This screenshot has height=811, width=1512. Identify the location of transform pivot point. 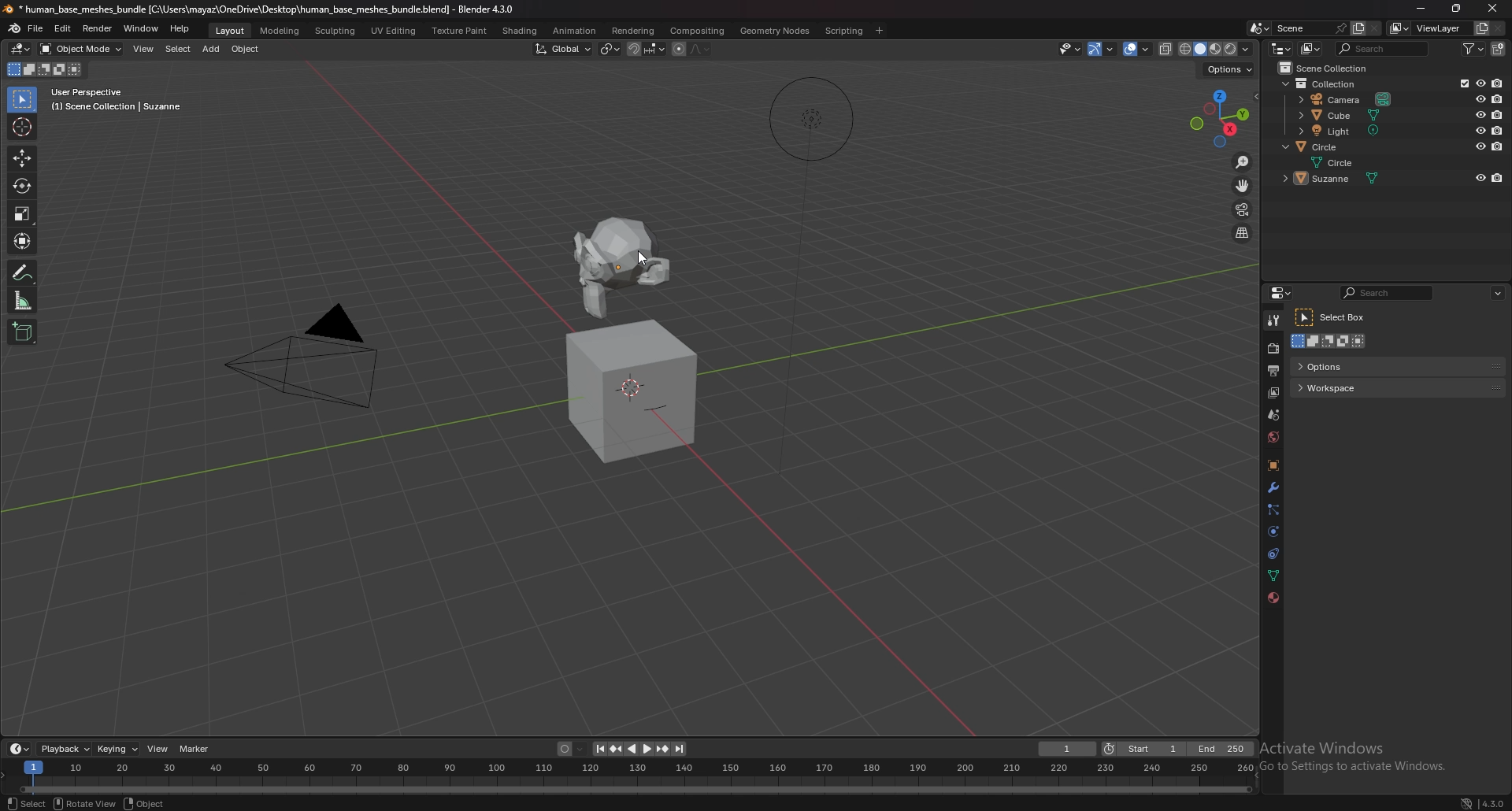
(610, 50).